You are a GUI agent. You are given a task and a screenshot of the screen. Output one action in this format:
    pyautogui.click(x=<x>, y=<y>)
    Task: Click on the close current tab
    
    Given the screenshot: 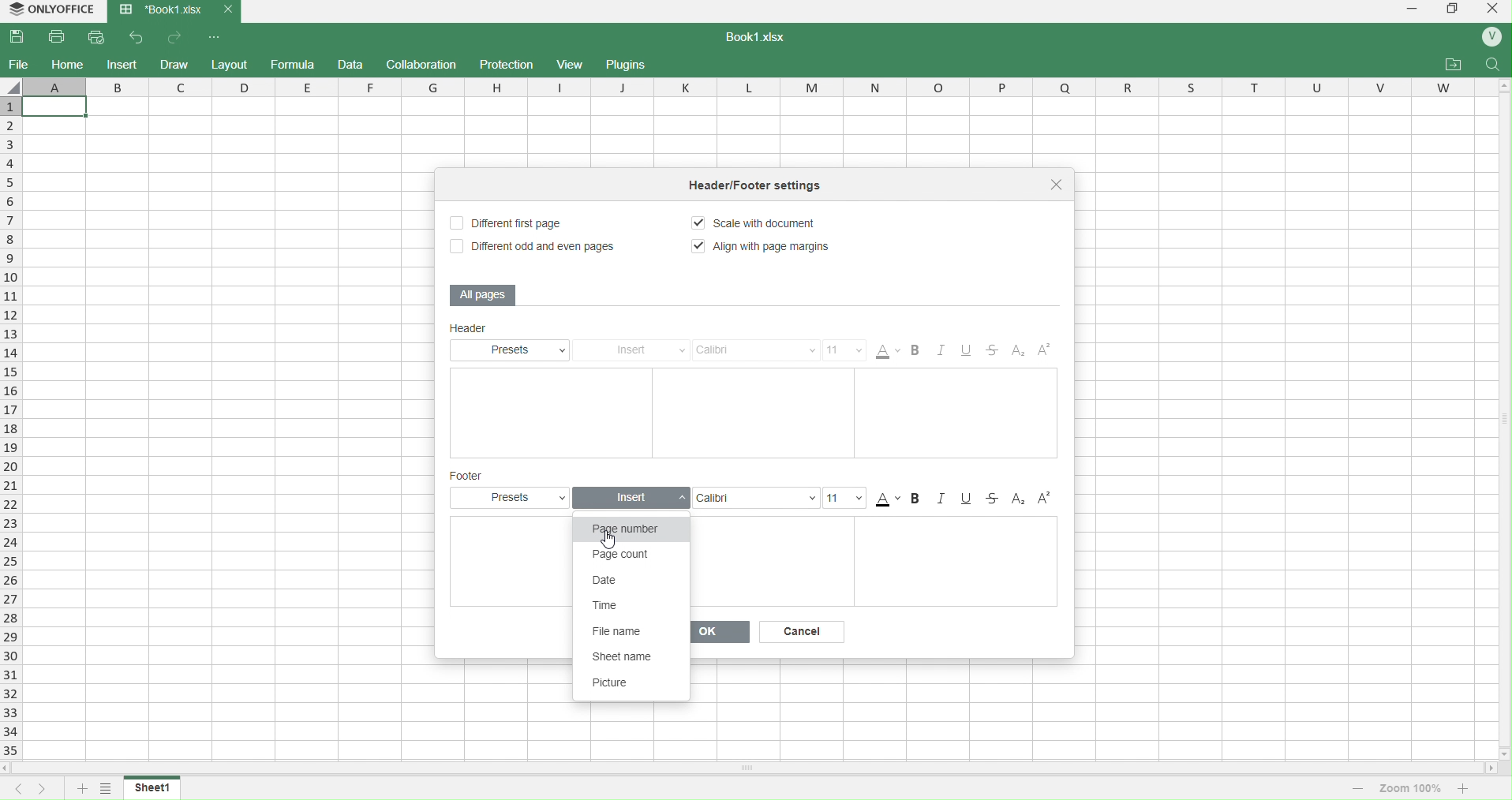 What is the action you would take?
    pyautogui.click(x=226, y=9)
    